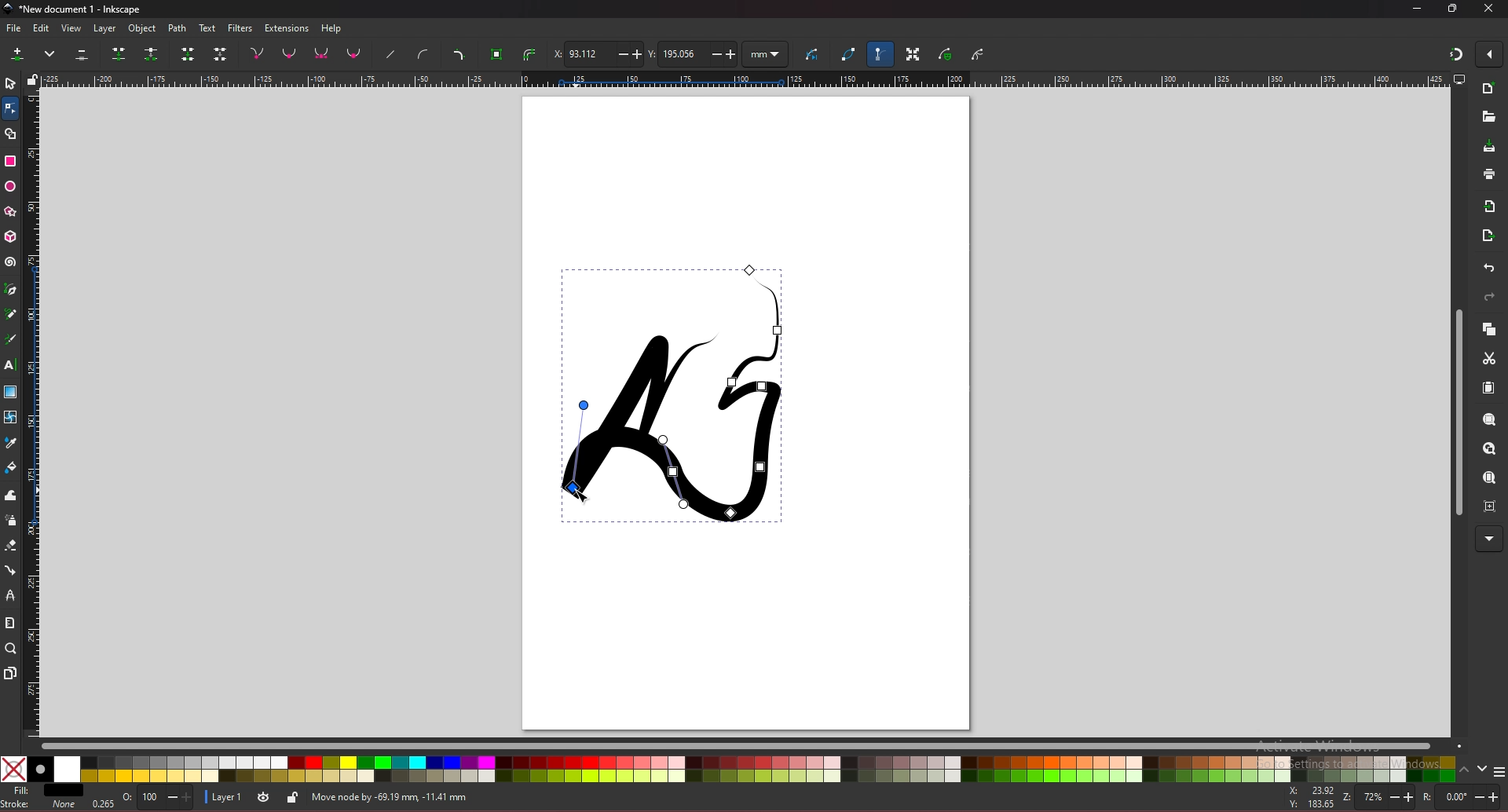 The image size is (1508, 812). I want to click on filters, so click(240, 28).